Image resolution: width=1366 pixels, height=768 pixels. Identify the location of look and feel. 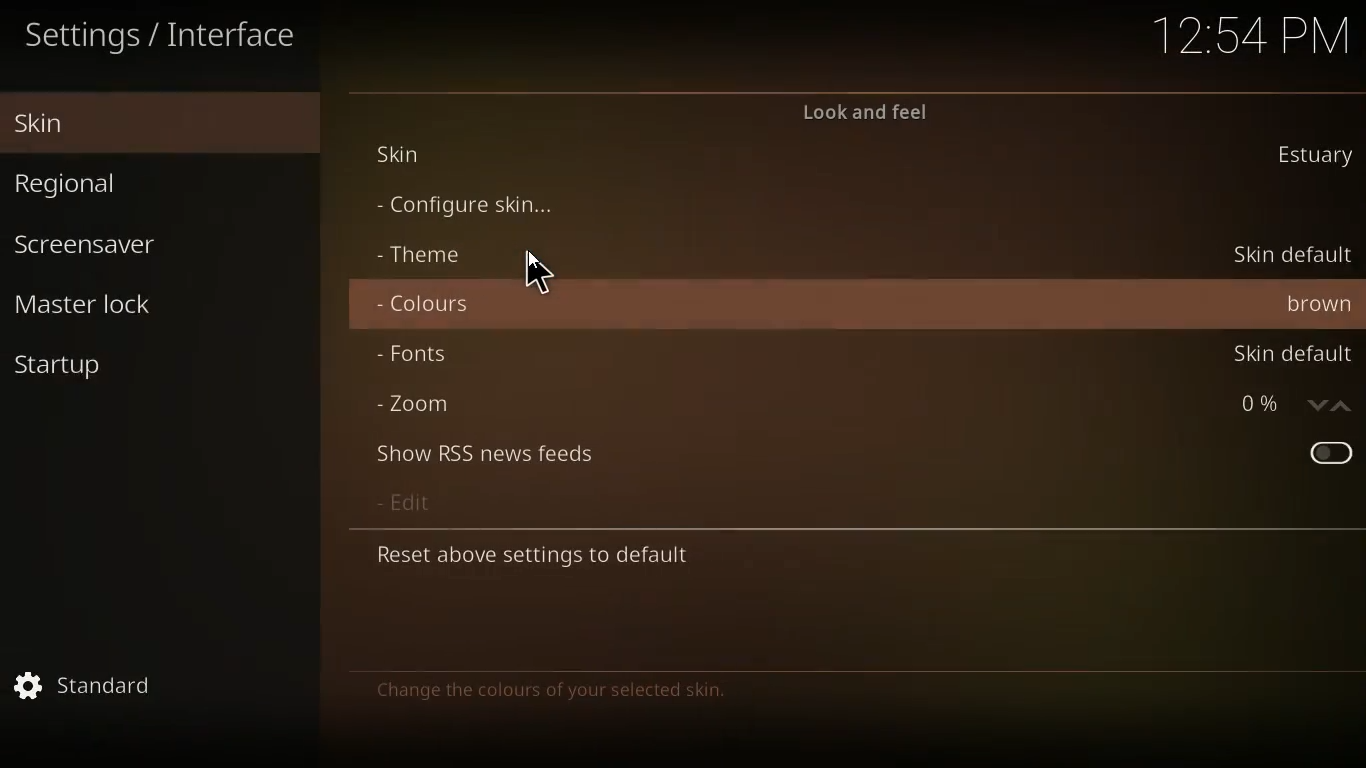
(873, 110).